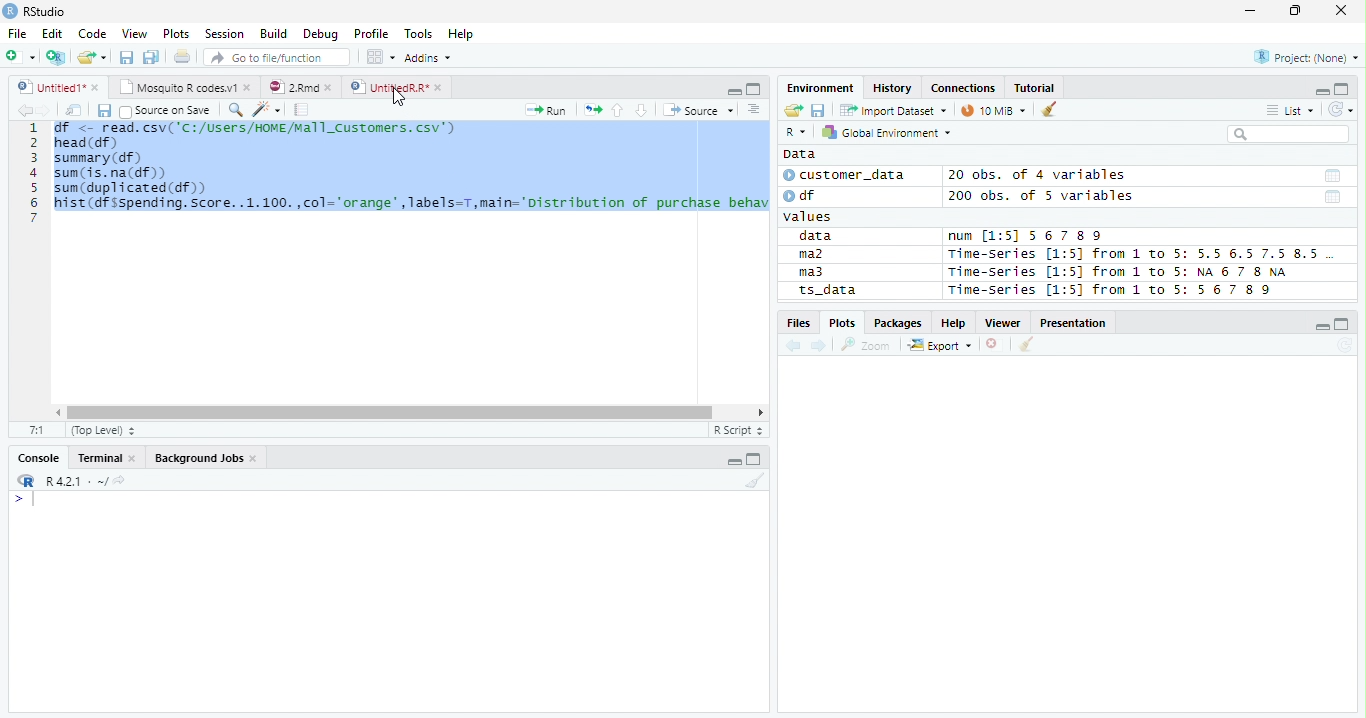 Image resolution: width=1366 pixels, height=718 pixels. What do you see at coordinates (430, 57) in the screenshot?
I see `Addins` at bounding box center [430, 57].